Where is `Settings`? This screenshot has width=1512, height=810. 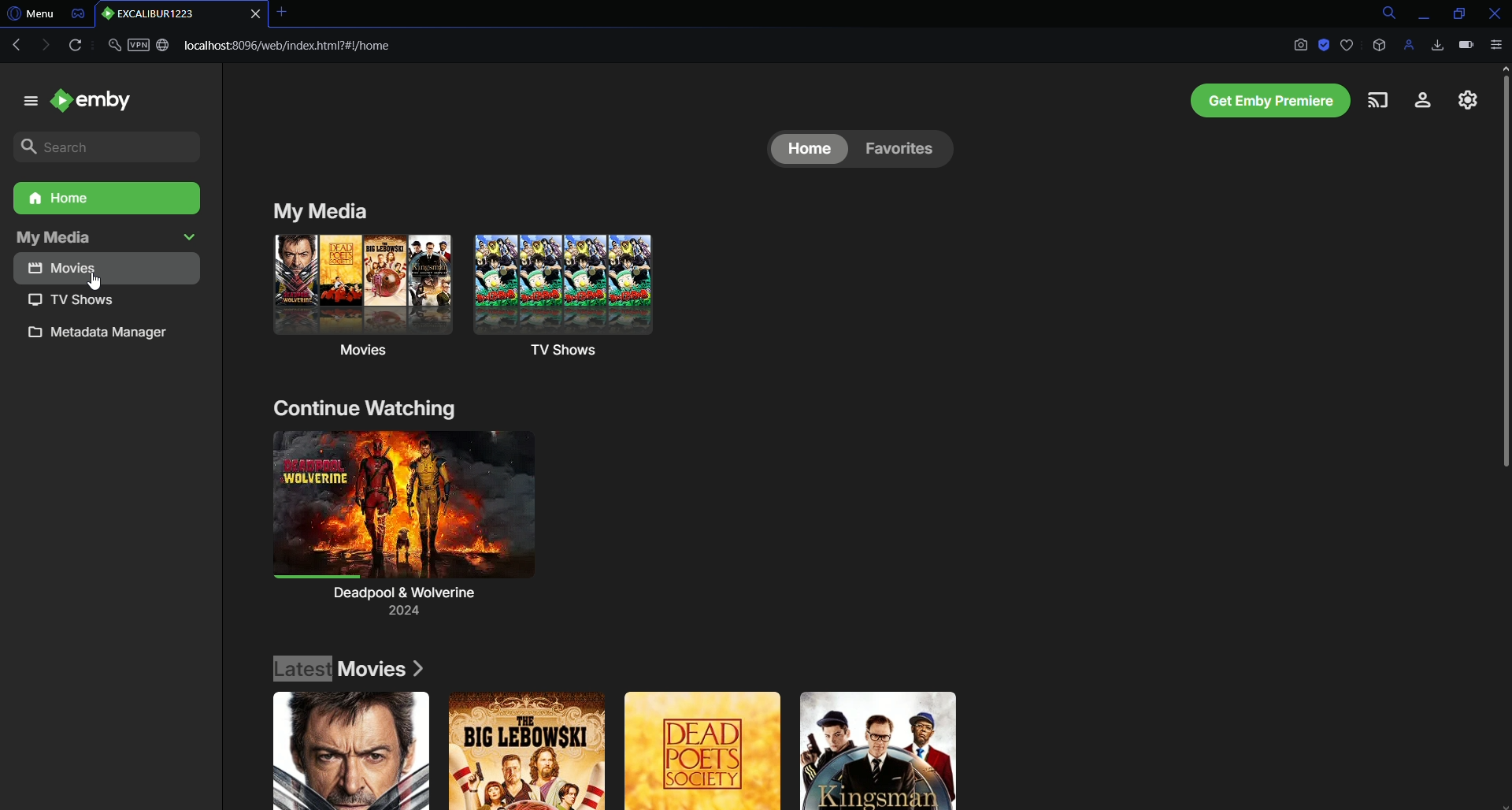
Settings is located at coordinates (1462, 102).